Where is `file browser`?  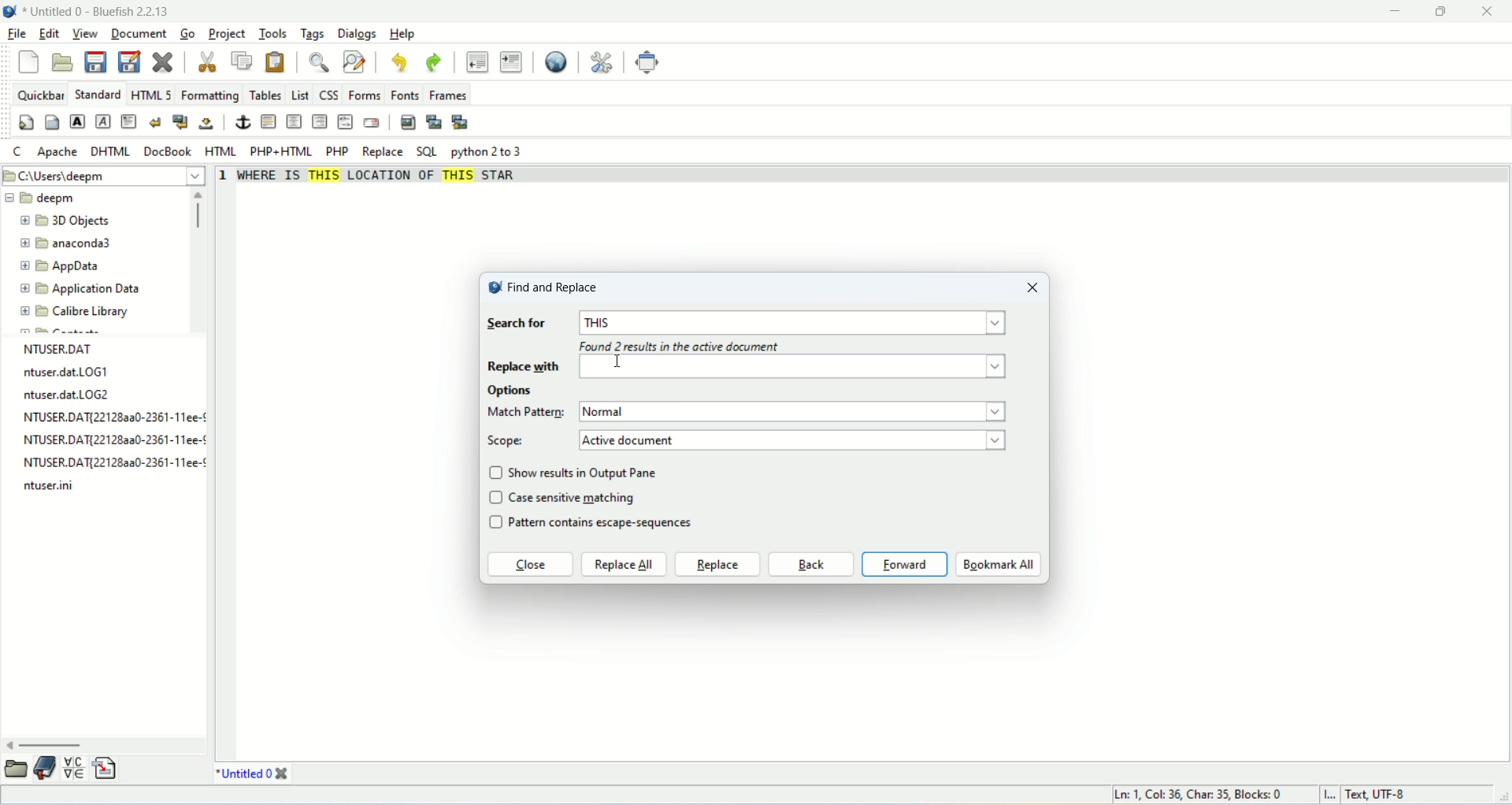 file browser is located at coordinates (17, 768).